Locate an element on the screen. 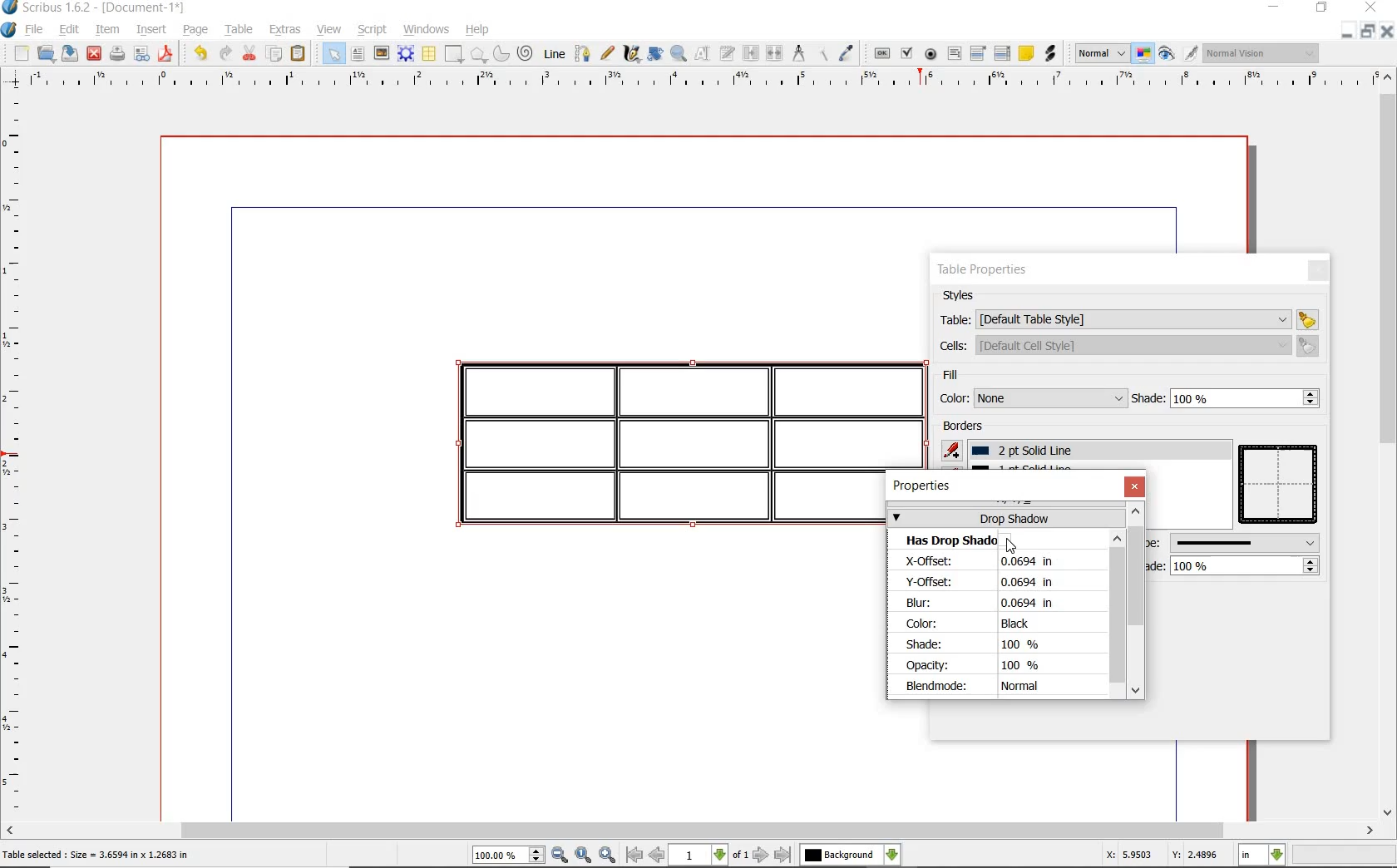  go to next page is located at coordinates (762, 854).